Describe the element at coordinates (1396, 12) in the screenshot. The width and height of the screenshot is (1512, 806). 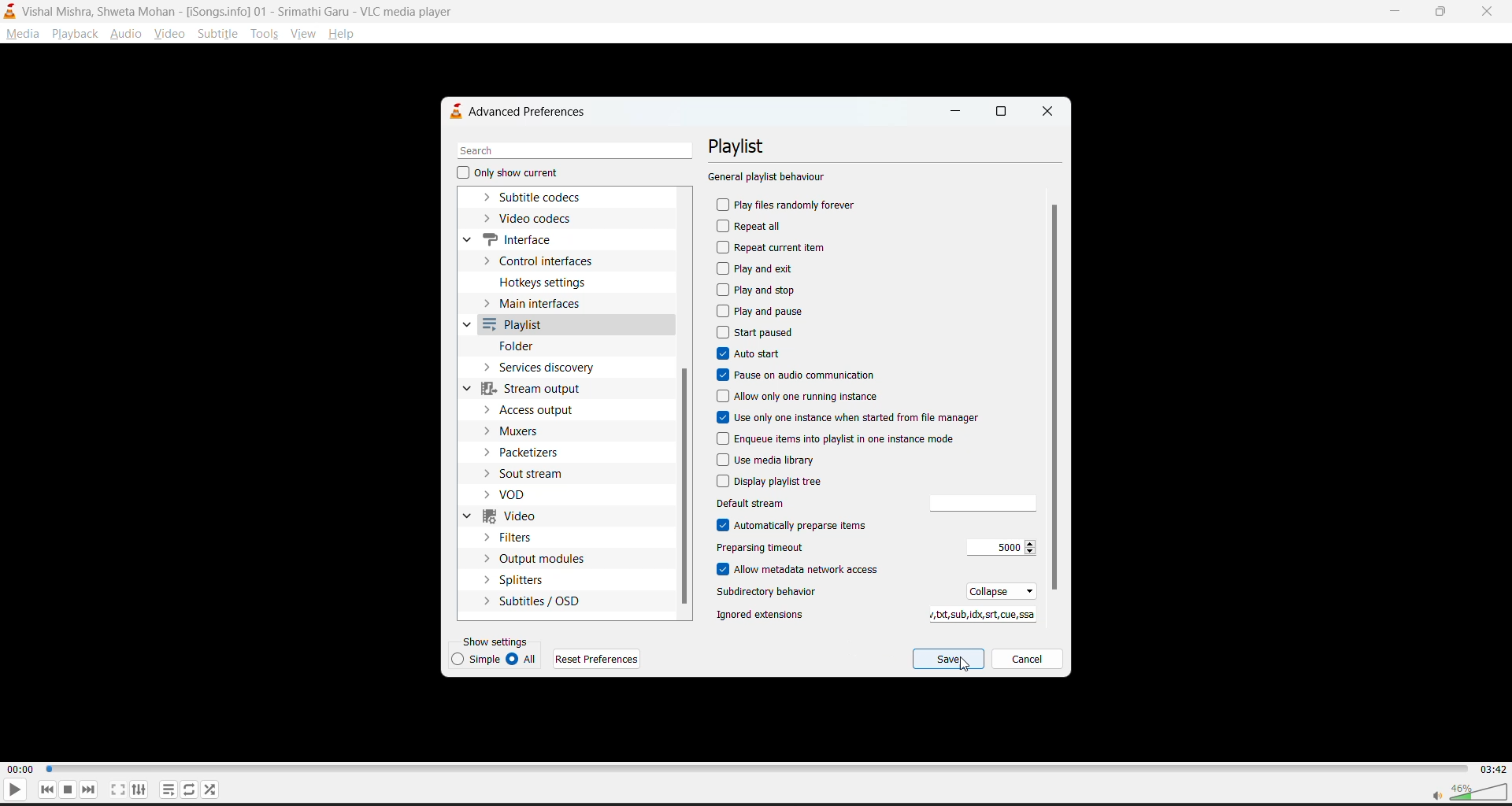
I see `minimize` at that location.